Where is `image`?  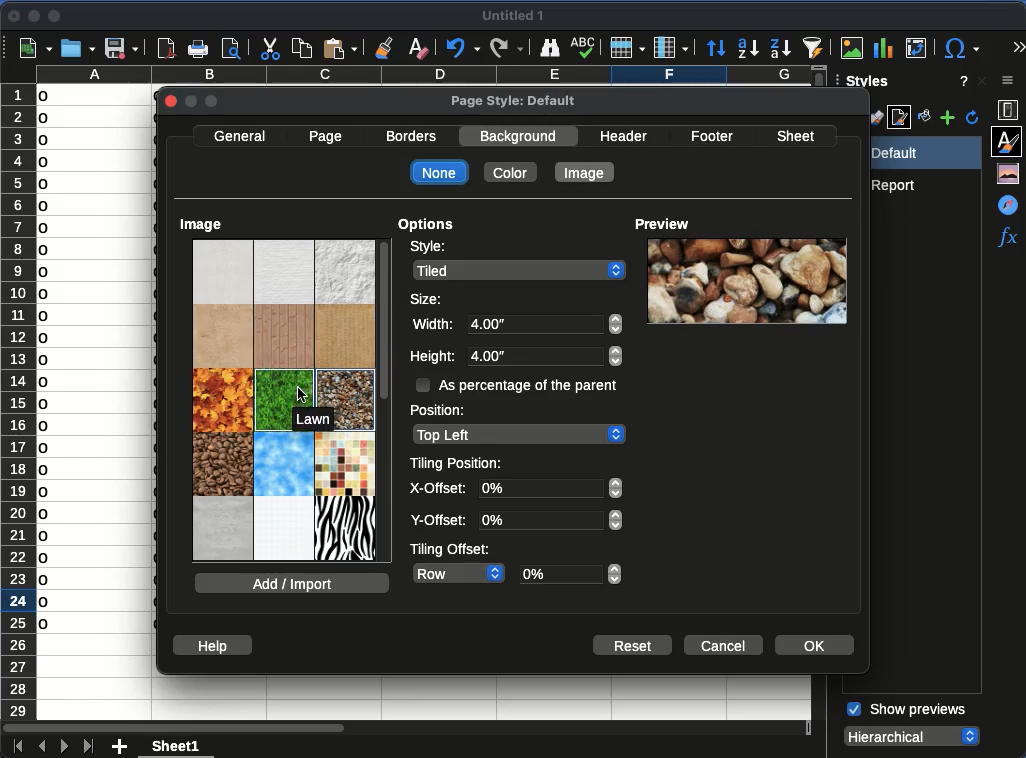 image is located at coordinates (585, 173).